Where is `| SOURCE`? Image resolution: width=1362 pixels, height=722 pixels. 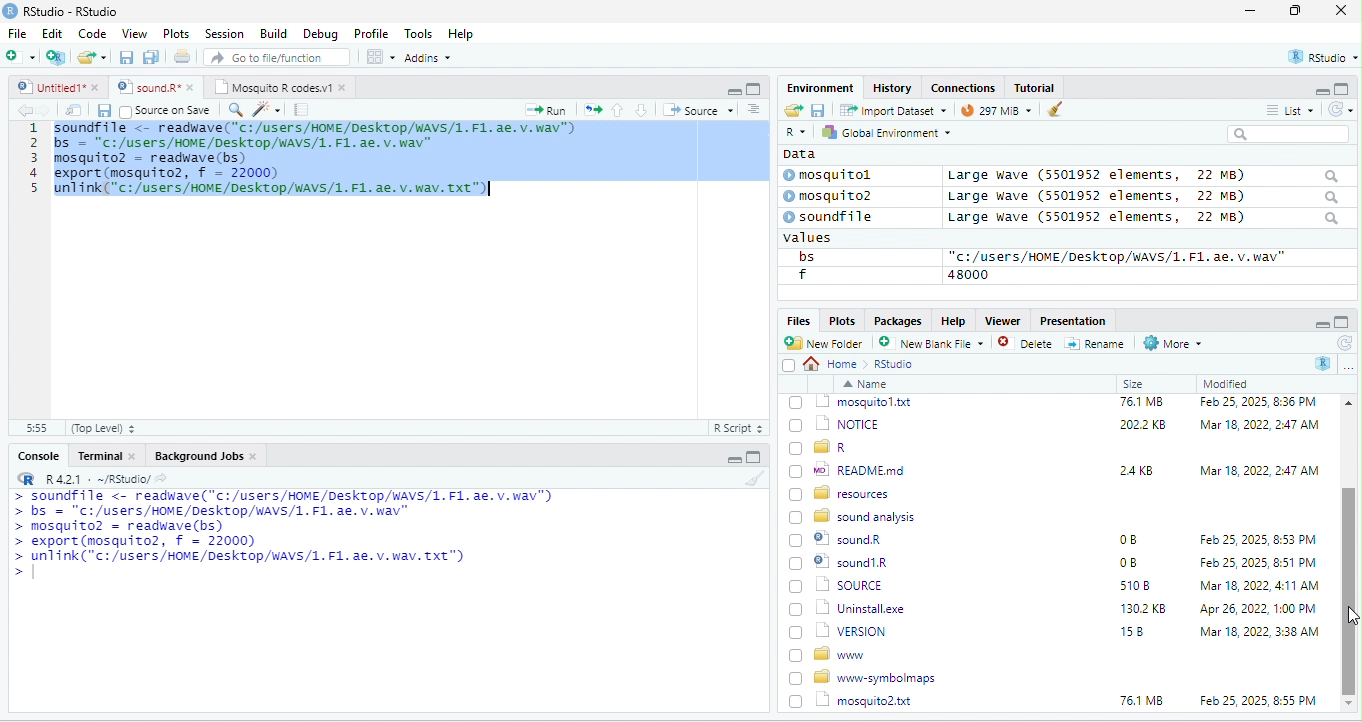
| SOURCE is located at coordinates (848, 681).